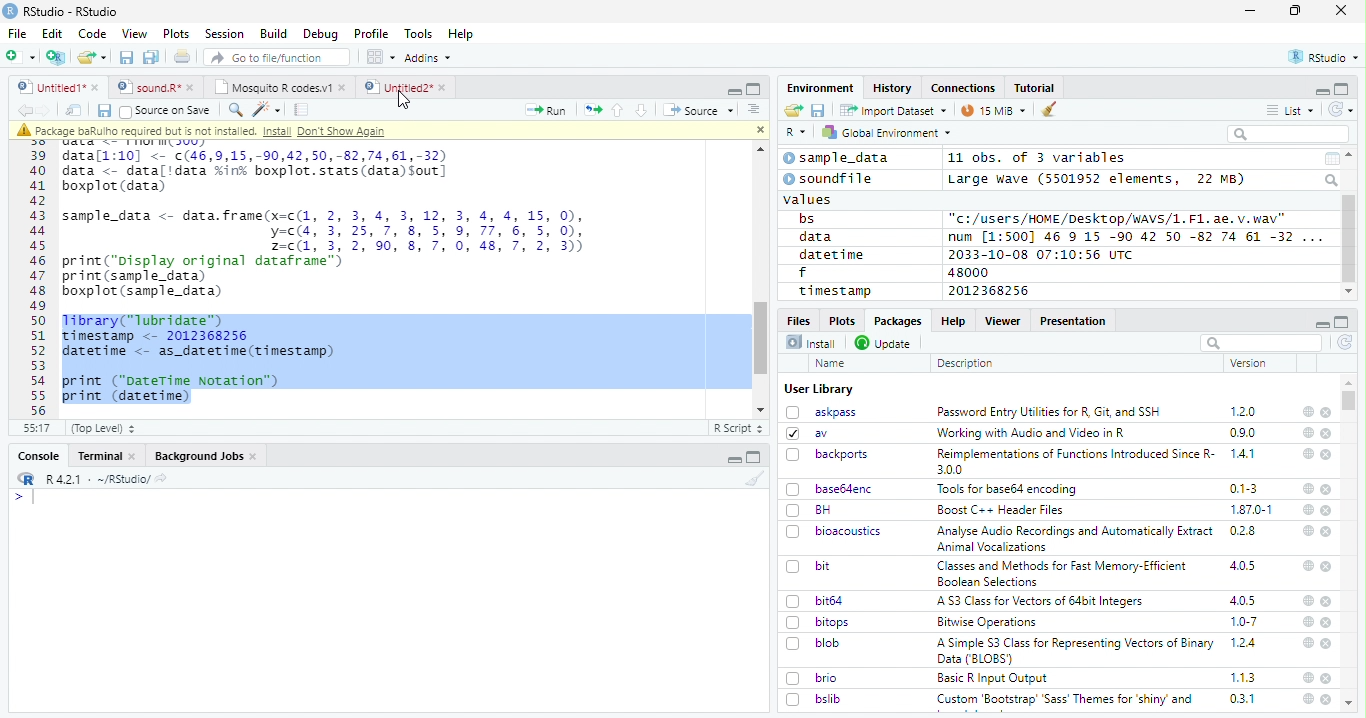 The image size is (1366, 718). Describe the element at coordinates (1245, 411) in the screenshot. I see `1.2.0` at that location.